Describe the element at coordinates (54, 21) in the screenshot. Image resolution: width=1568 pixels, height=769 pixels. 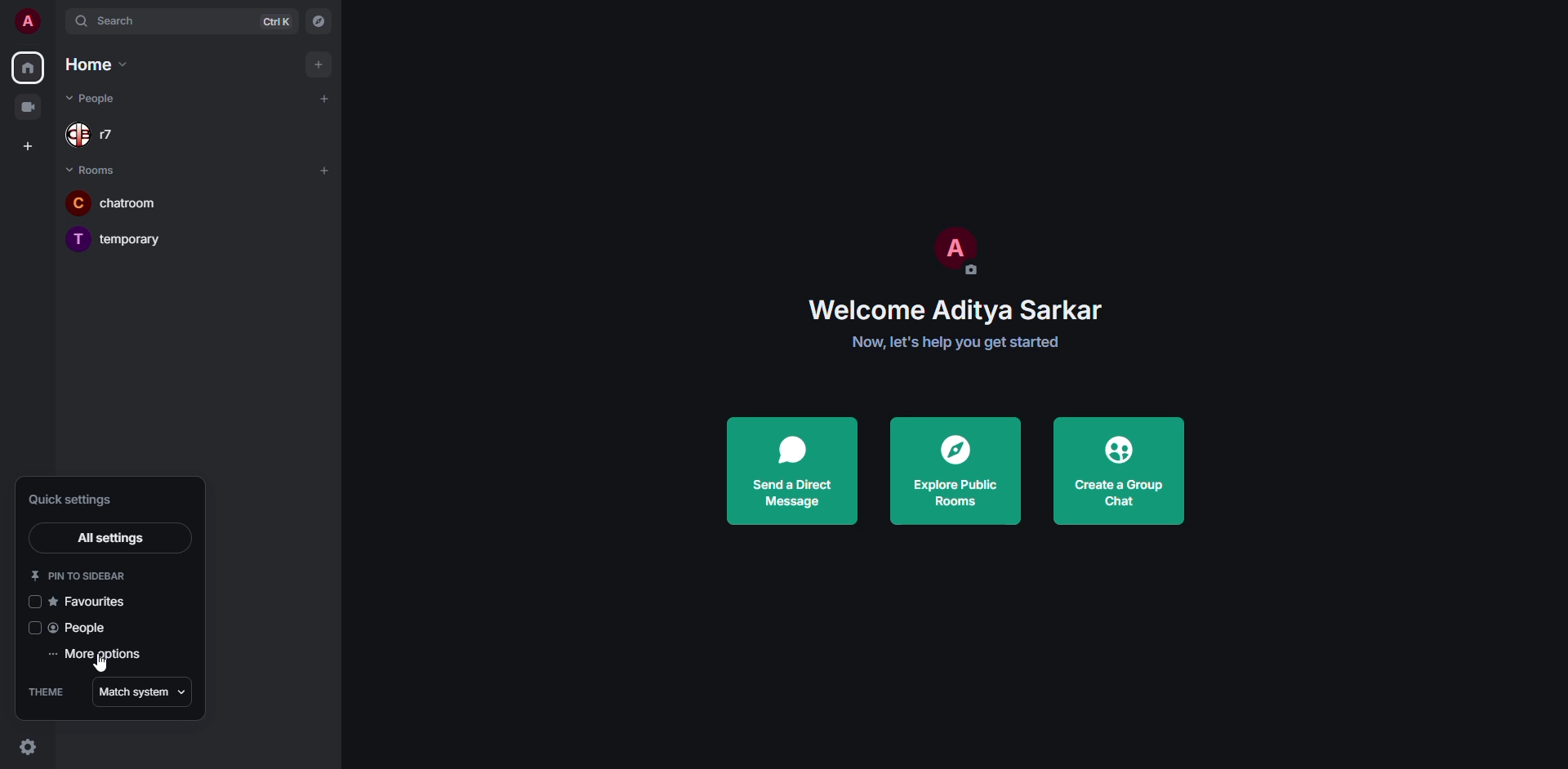
I see `expand` at that location.